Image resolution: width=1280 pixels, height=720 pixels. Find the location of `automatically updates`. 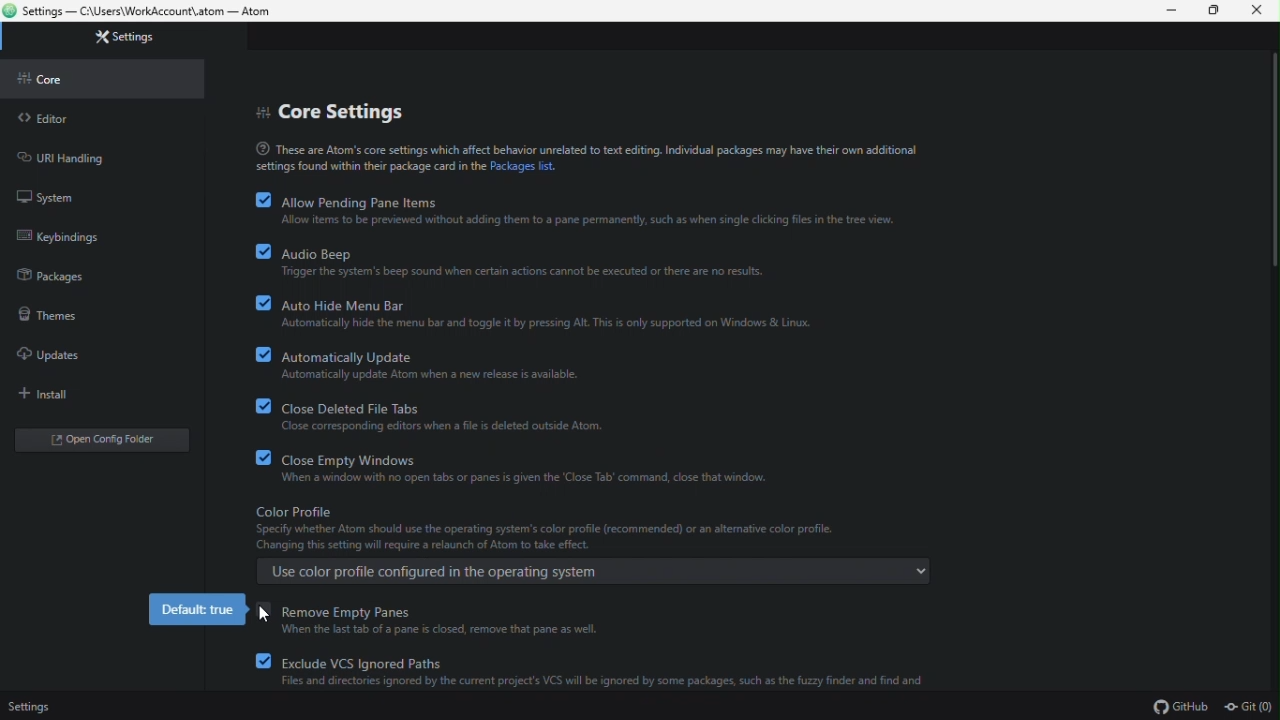

automatically updates is located at coordinates (436, 364).